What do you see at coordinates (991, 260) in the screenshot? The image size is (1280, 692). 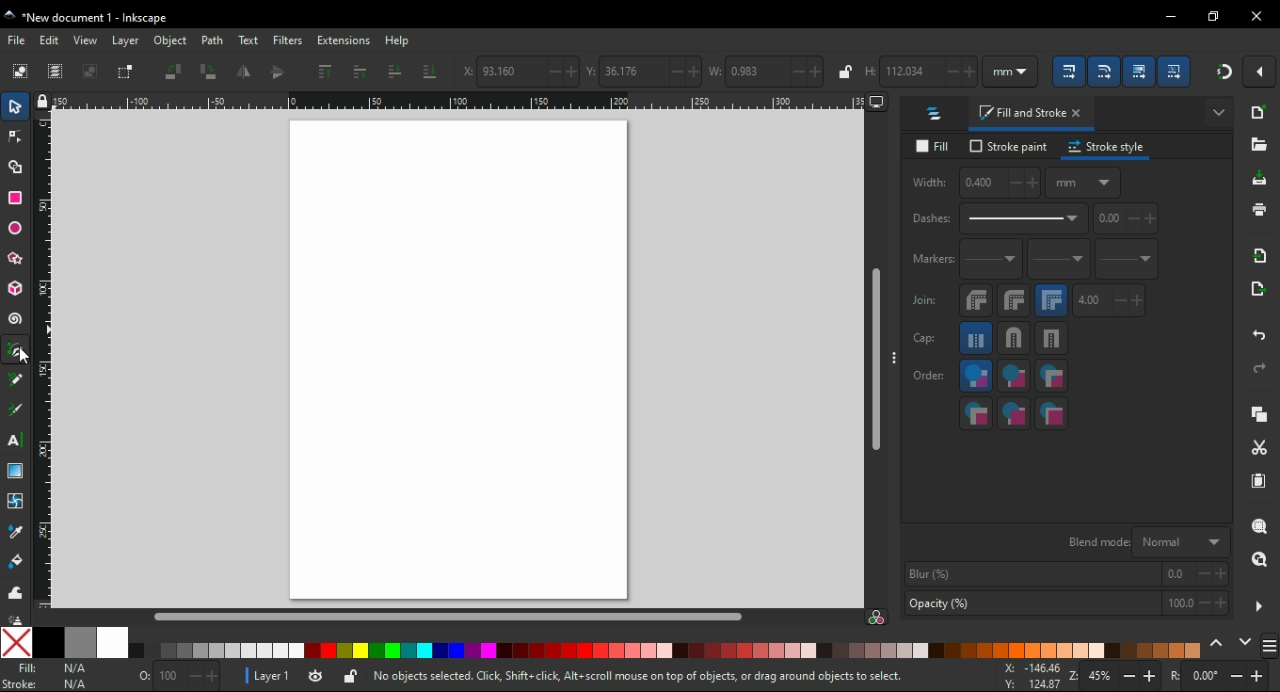 I see `start markers` at bounding box center [991, 260].